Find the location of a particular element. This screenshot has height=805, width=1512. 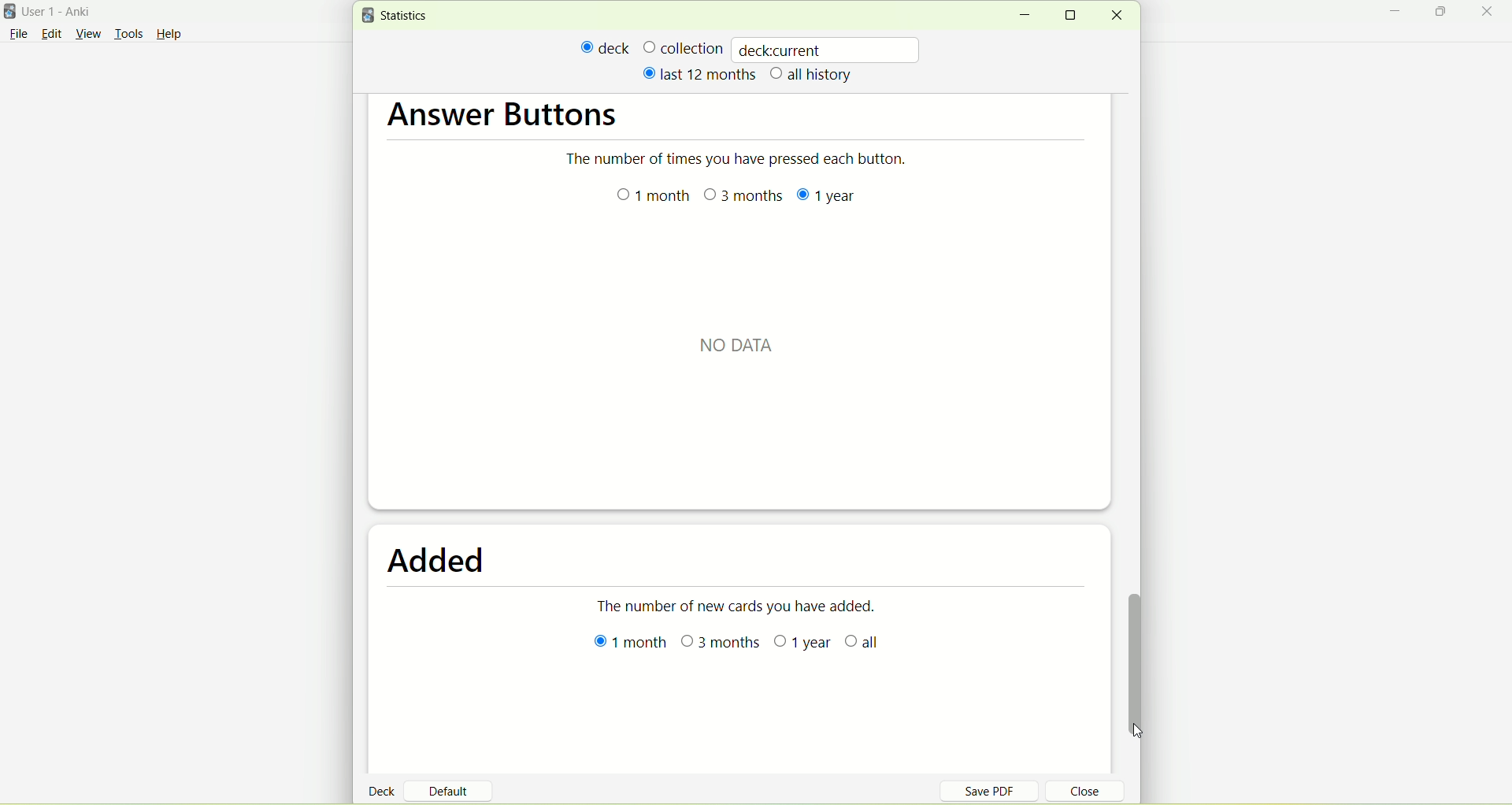

cursor is located at coordinates (1146, 738).